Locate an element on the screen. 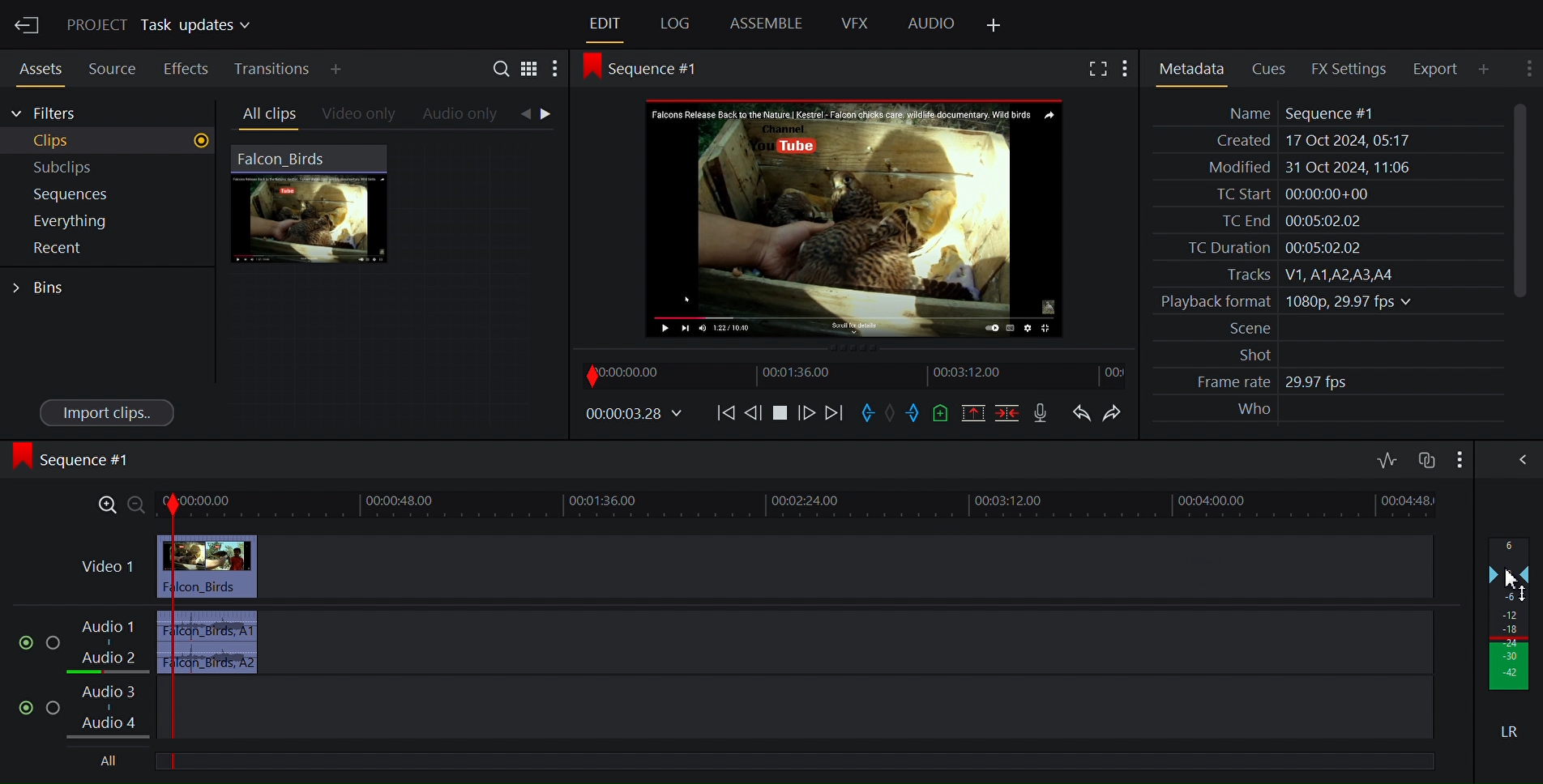 This screenshot has width=1543, height=784. Toggle audio editing levels is located at coordinates (1386, 458).